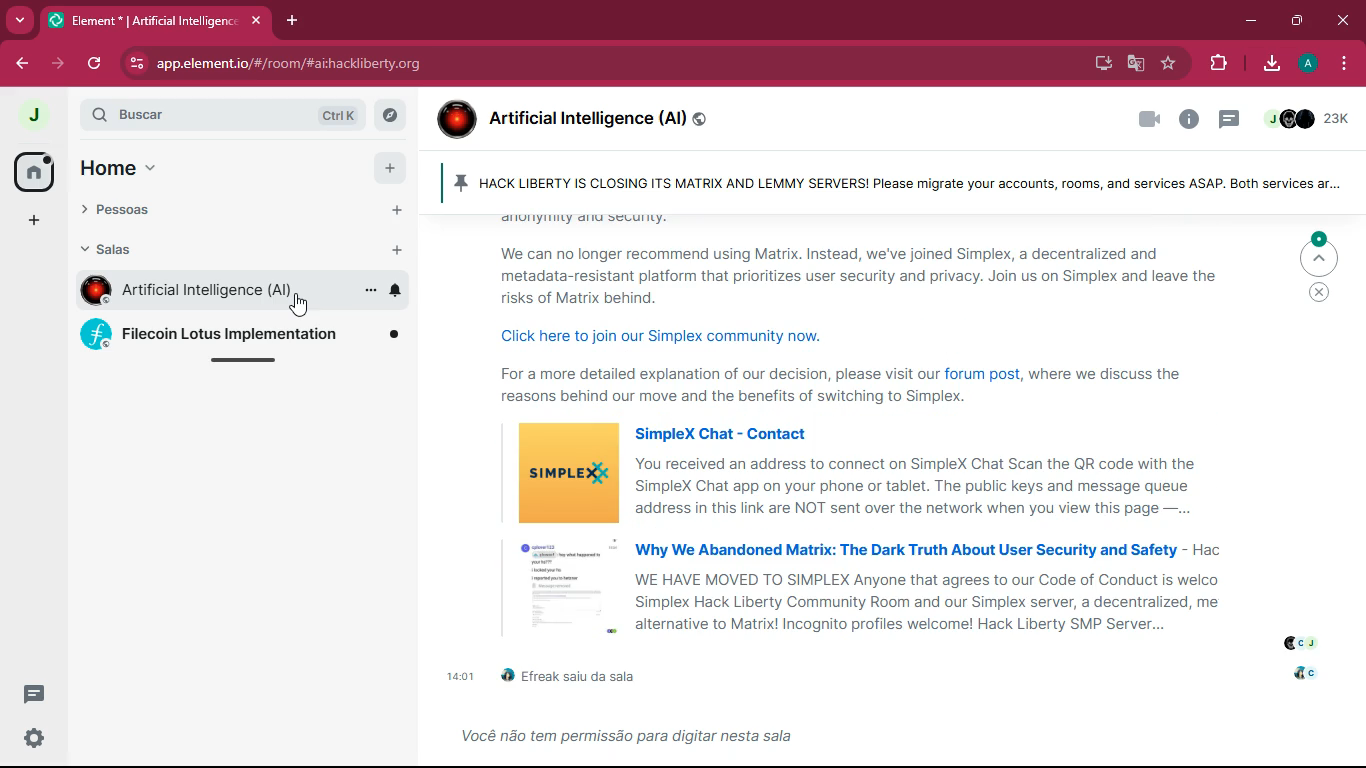 This screenshot has width=1366, height=768. What do you see at coordinates (155, 20) in the screenshot?
I see `element* |artificial intelligence` at bounding box center [155, 20].